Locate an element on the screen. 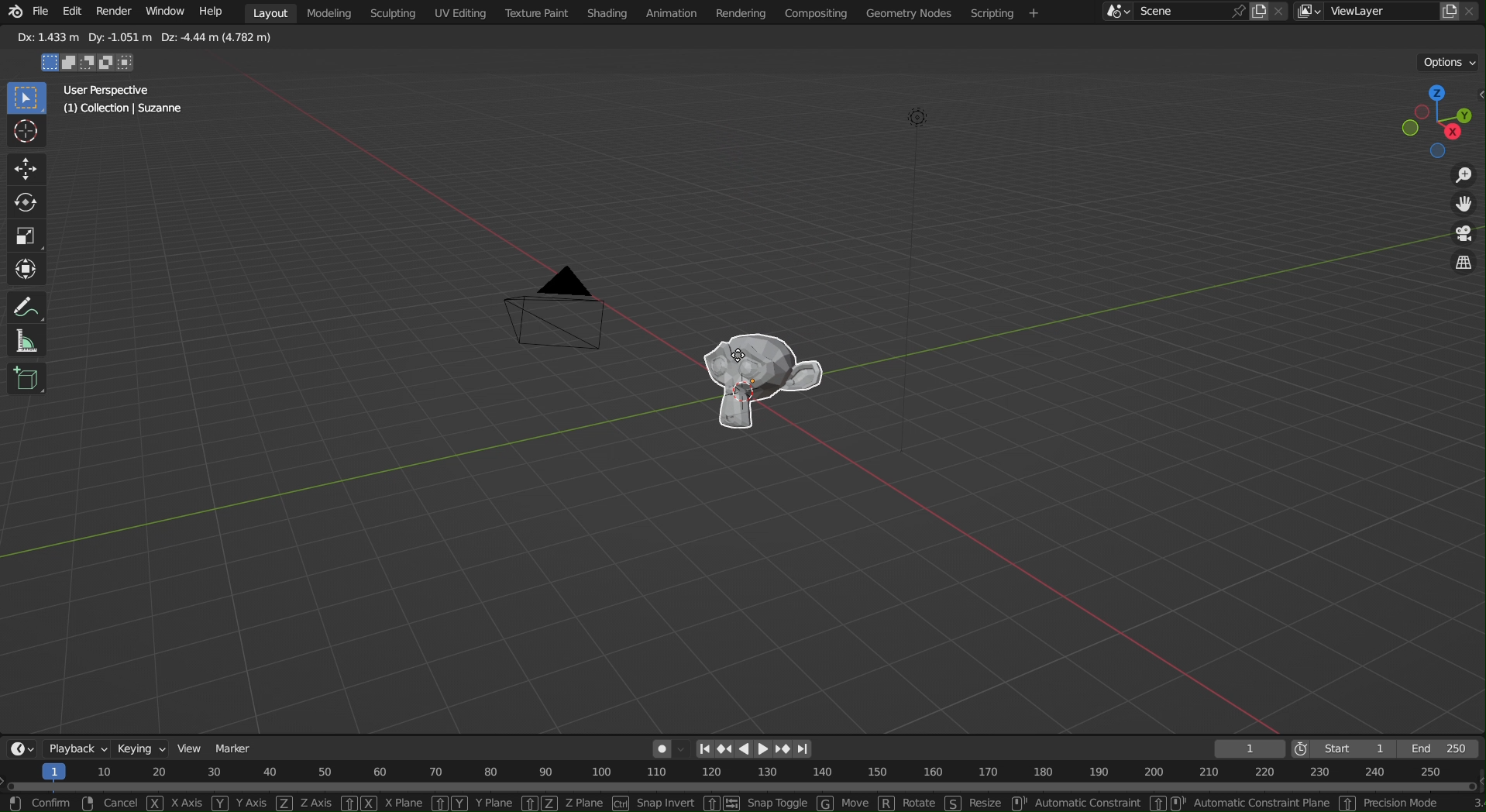  close is located at coordinates (1471, 11).